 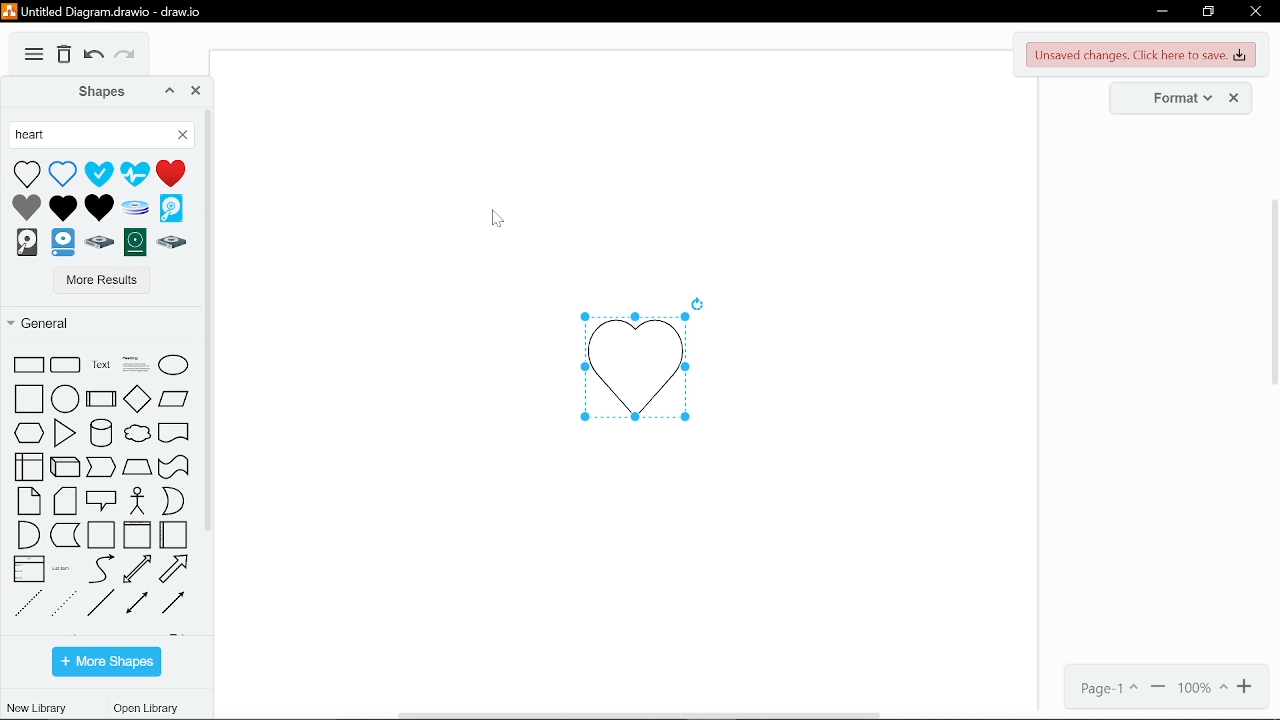 What do you see at coordinates (91, 136) in the screenshot?
I see `typed text` at bounding box center [91, 136].